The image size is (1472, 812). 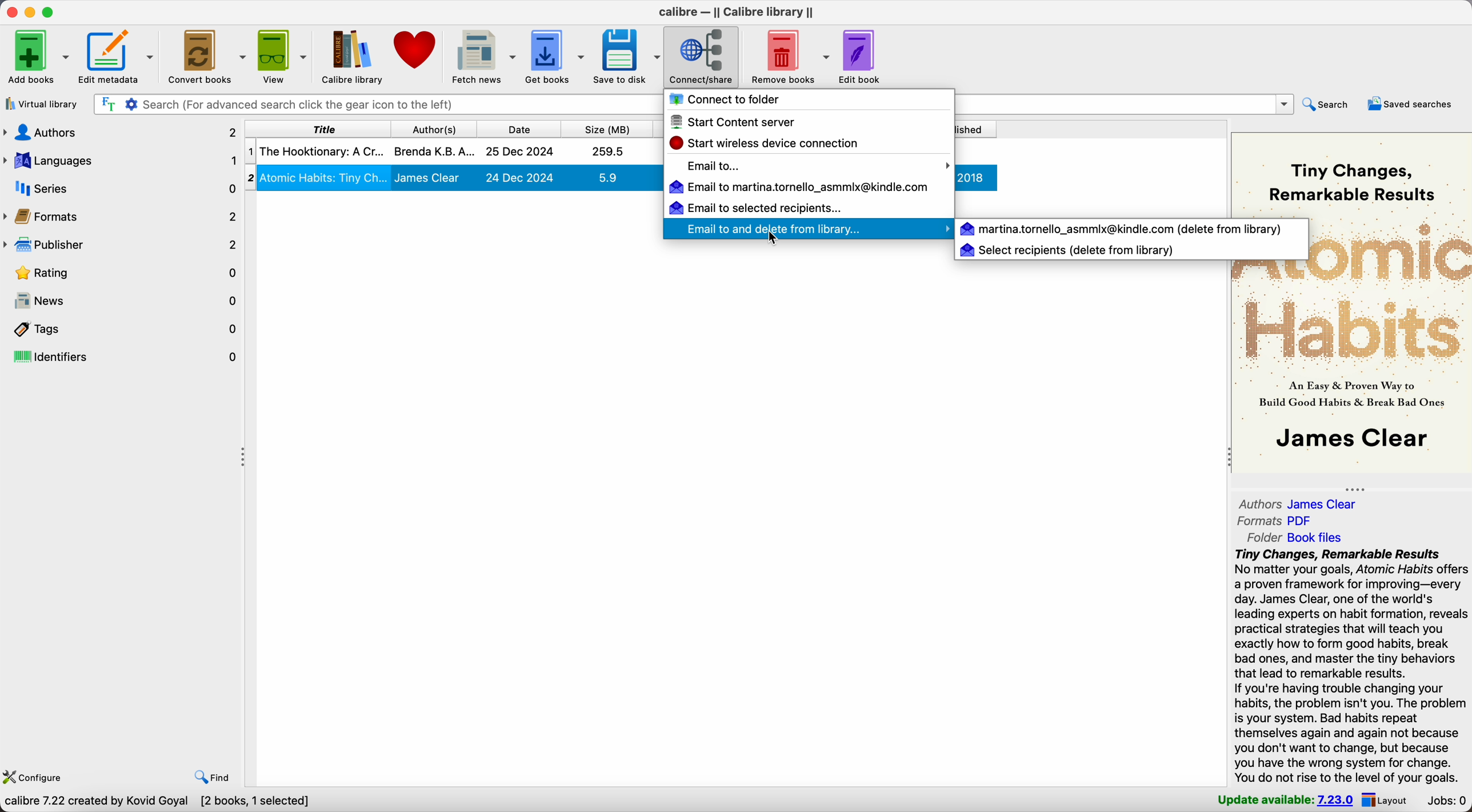 What do you see at coordinates (776, 239) in the screenshot?
I see `Cursor` at bounding box center [776, 239].